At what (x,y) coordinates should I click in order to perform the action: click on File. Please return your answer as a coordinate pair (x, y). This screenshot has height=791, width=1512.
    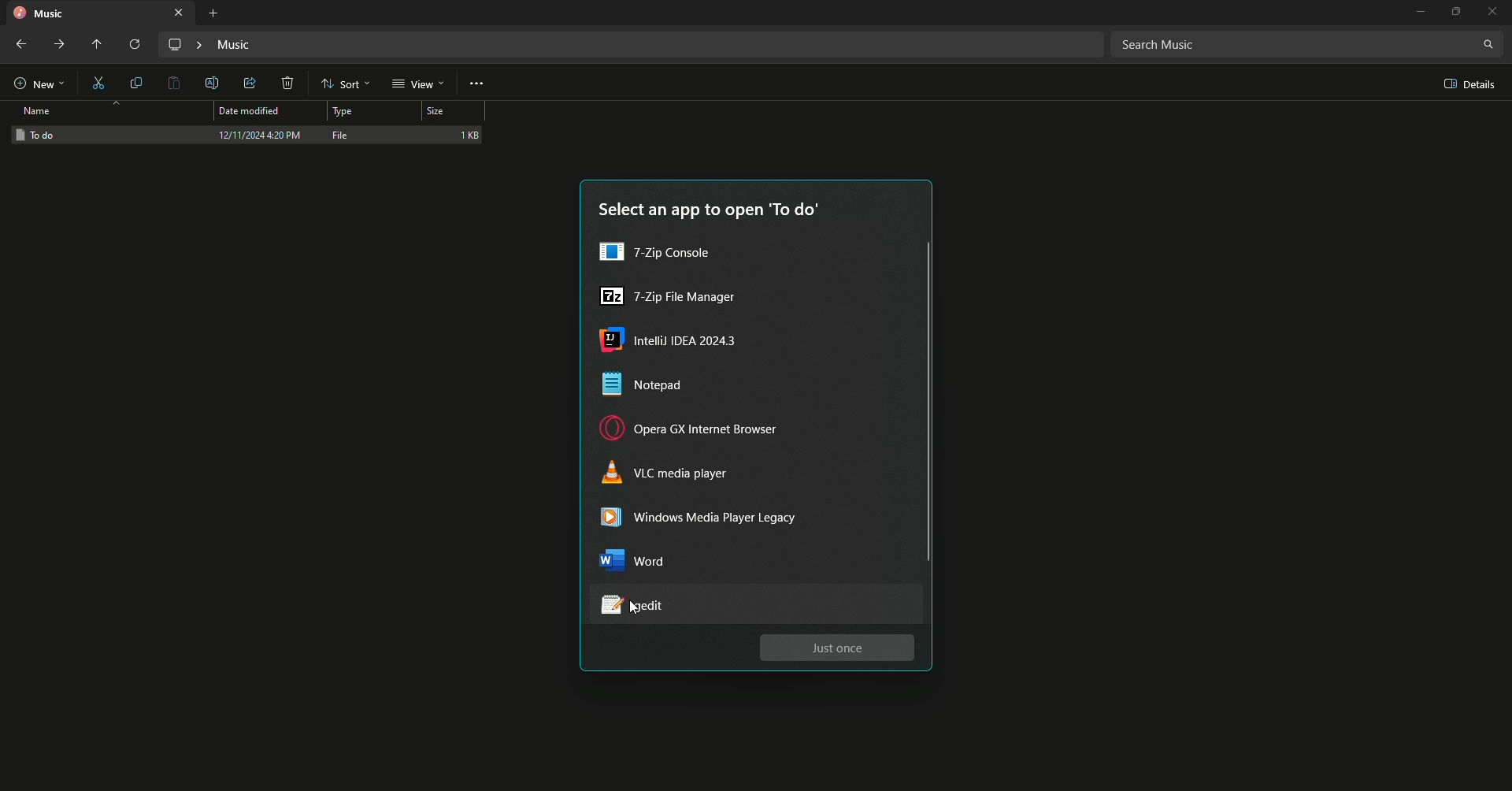
    Looking at the image, I should click on (344, 135).